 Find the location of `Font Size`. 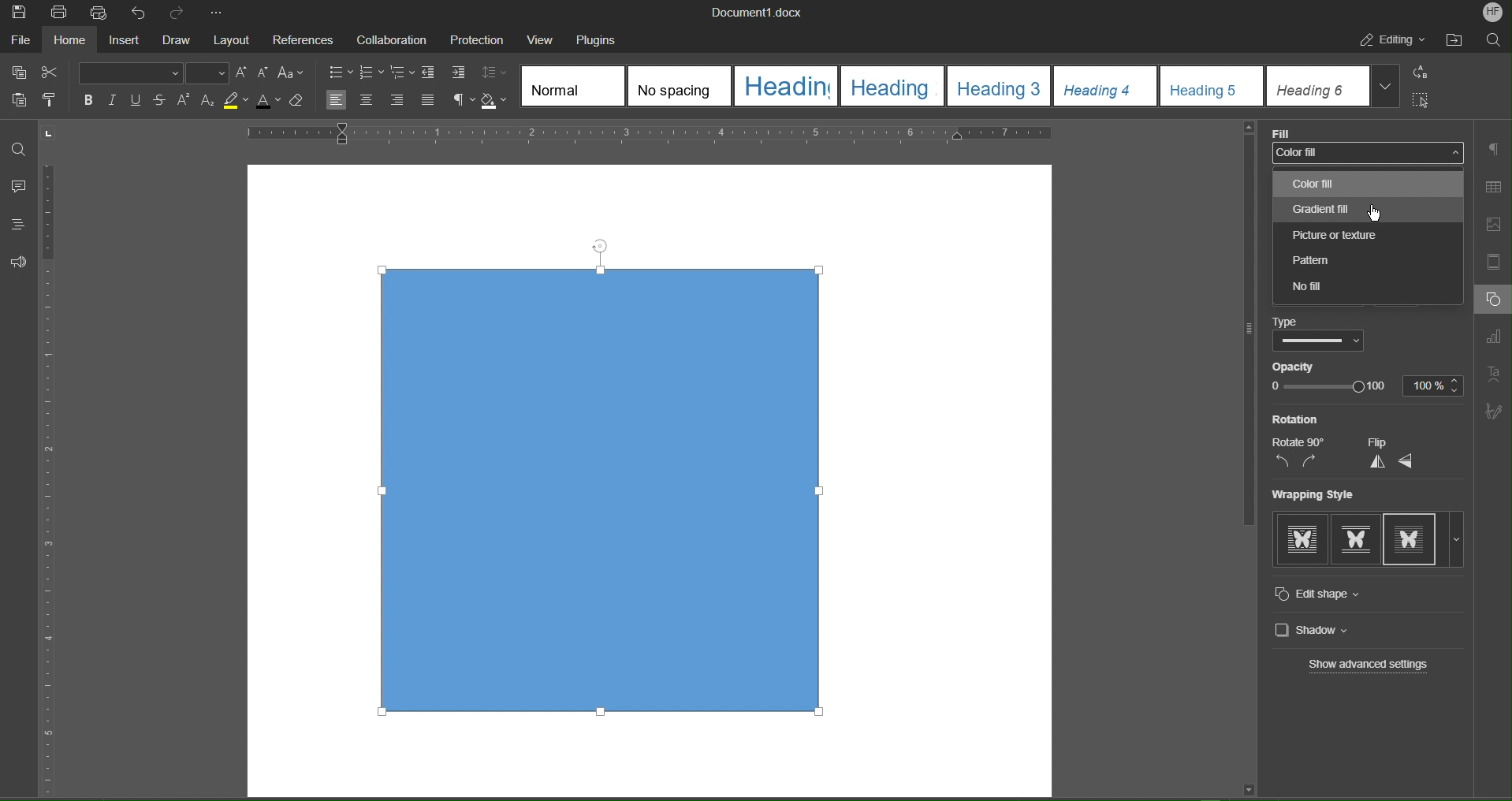

Font Size is located at coordinates (207, 74).